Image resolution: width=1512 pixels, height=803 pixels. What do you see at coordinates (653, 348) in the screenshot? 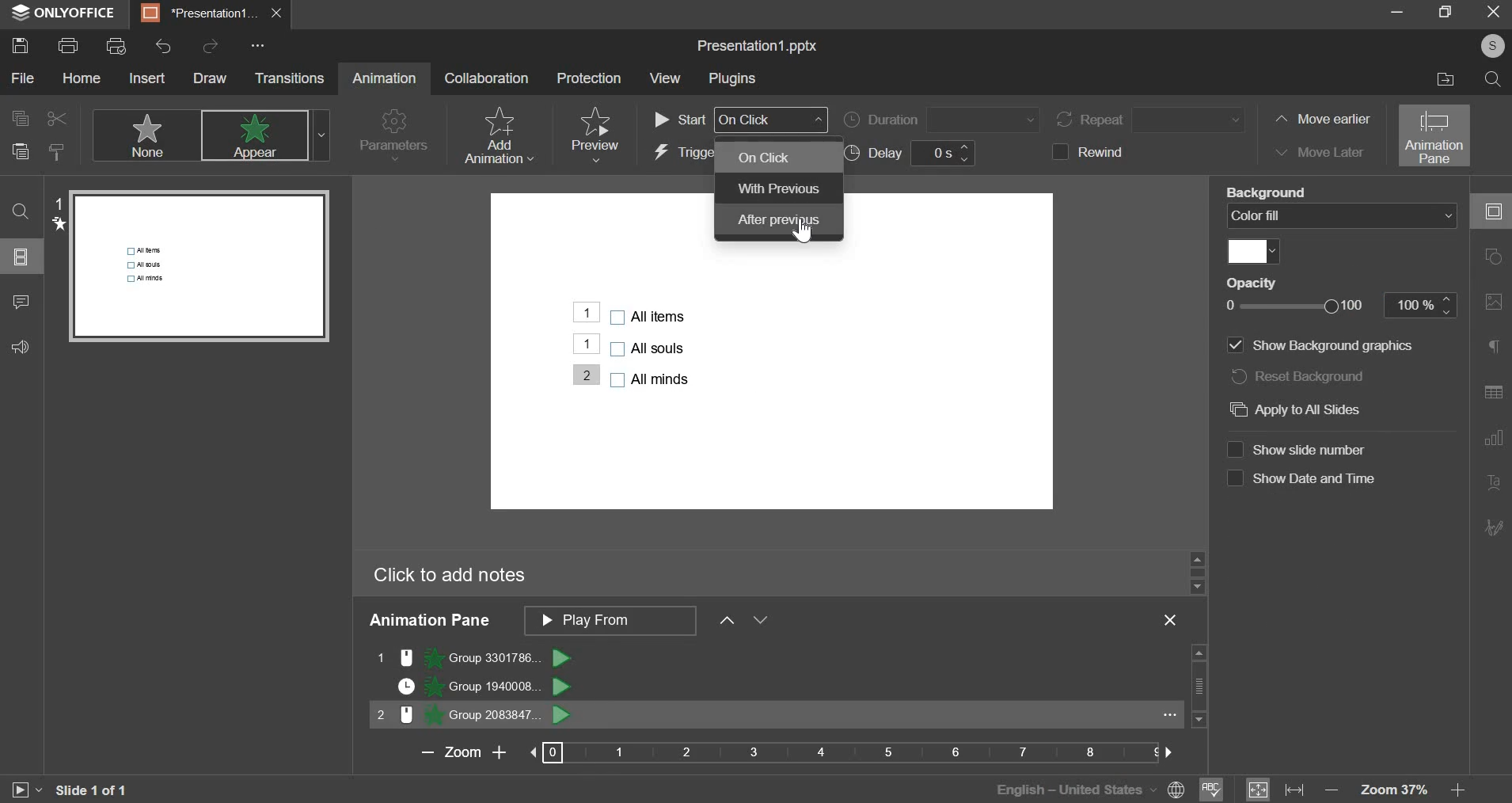
I see `bullet points` at bounding box center [653, 348].